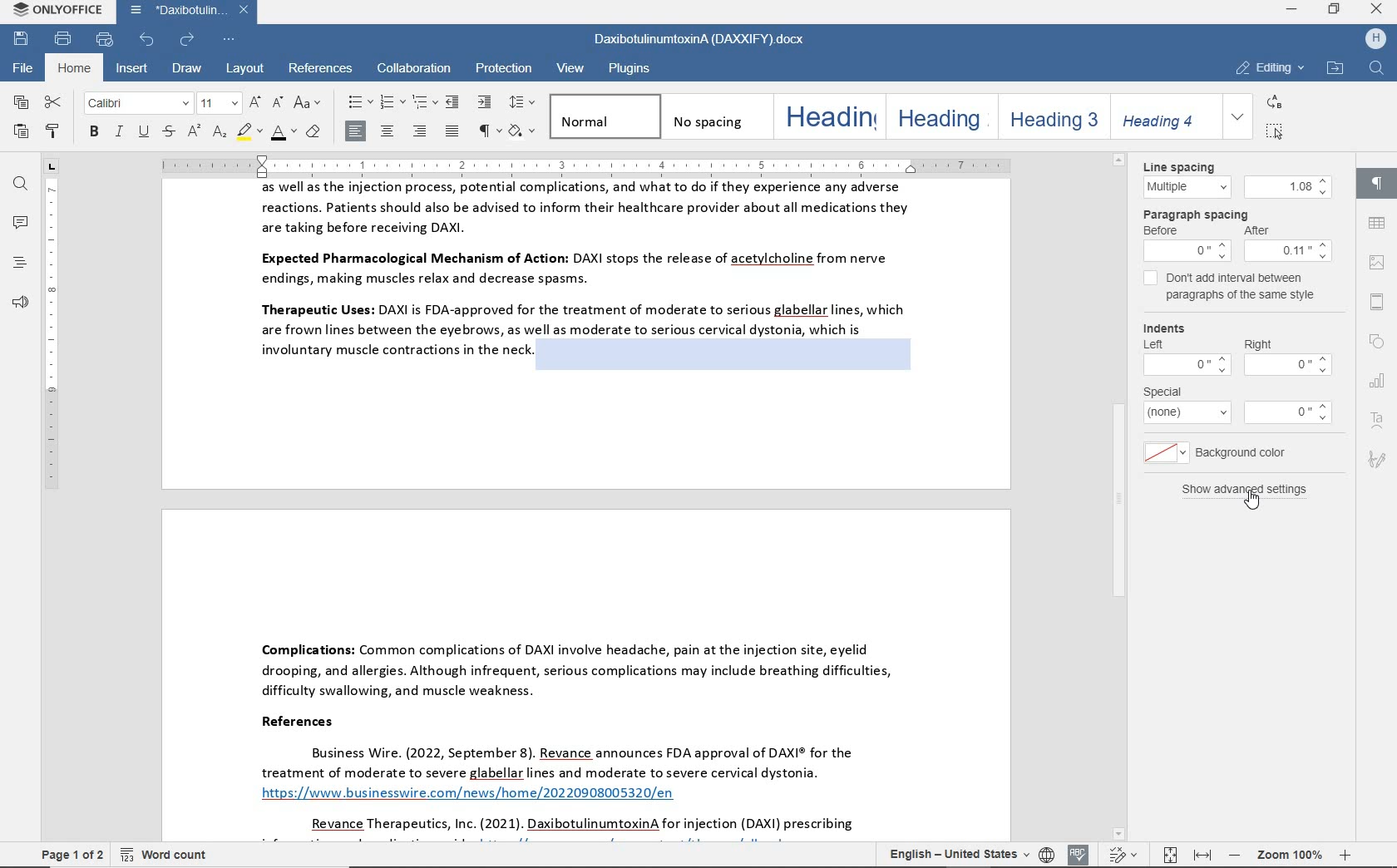 The height and width of the screenshot is (868, 1397). What do you see at coordinates (323, 69) in the screenshot?
I see `references` at bounding box center [323, 69].